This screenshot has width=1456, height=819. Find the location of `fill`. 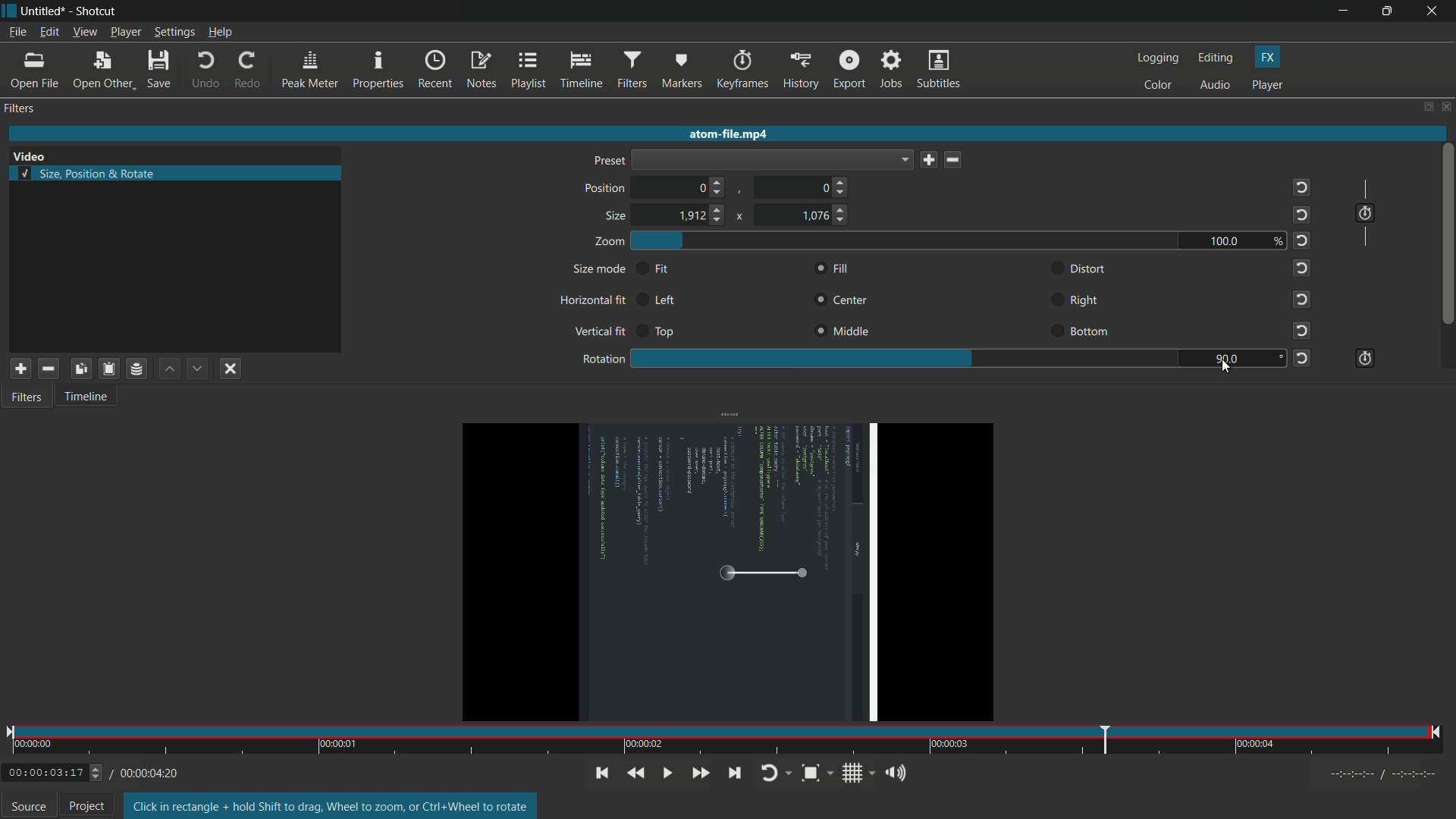

fill is located at coordinates (831, 270).